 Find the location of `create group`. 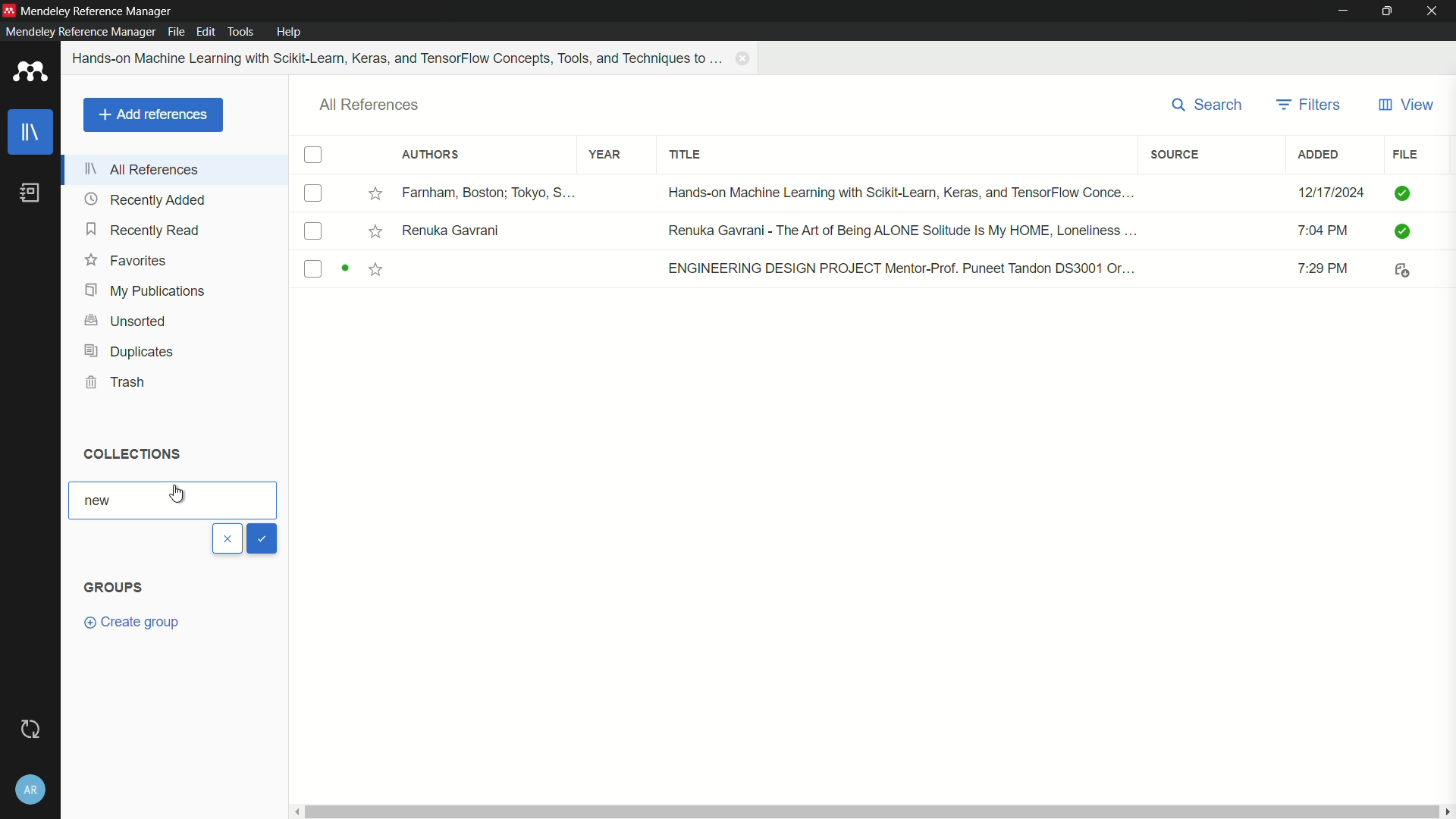

create group is located at coordinates (130, 622).